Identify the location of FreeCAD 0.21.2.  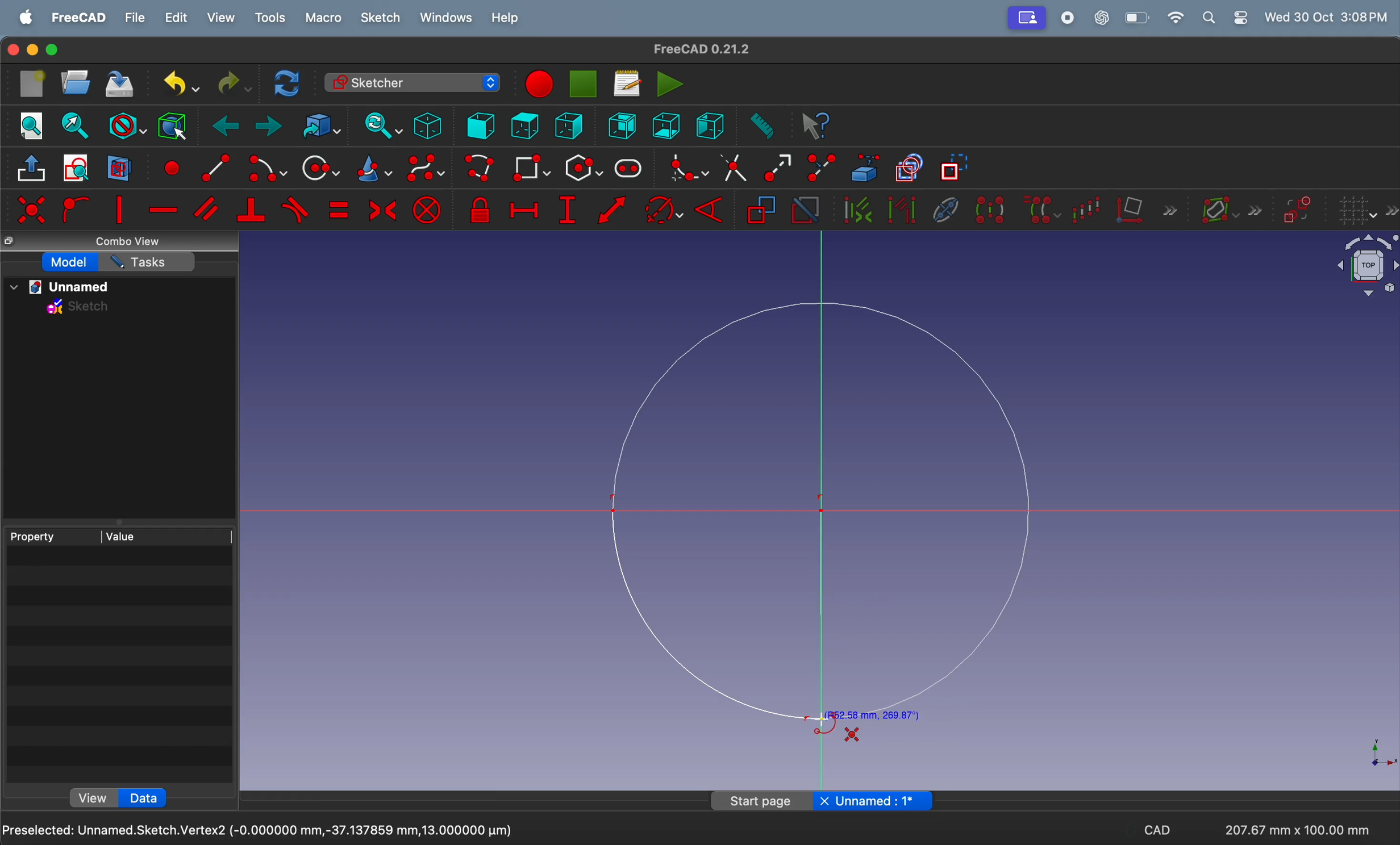
(702, 48).